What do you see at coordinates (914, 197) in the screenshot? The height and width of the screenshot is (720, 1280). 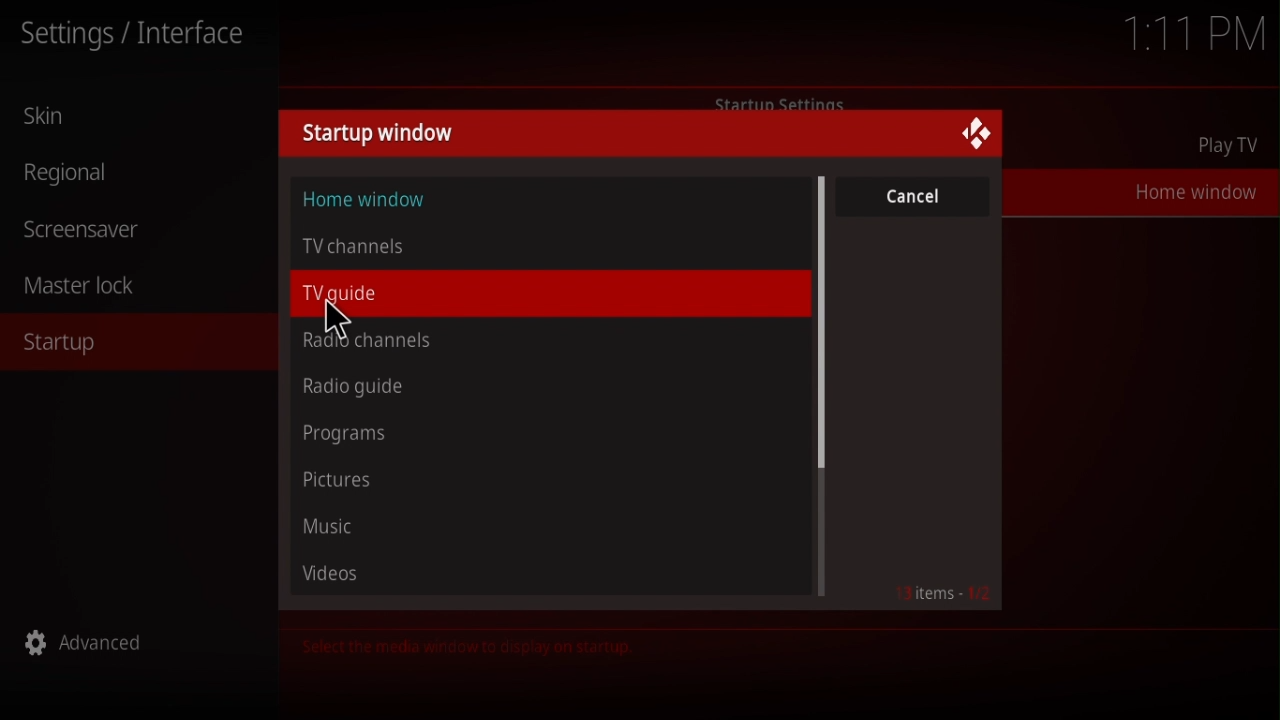 I see `cancel` at bounding box center [914, 197].